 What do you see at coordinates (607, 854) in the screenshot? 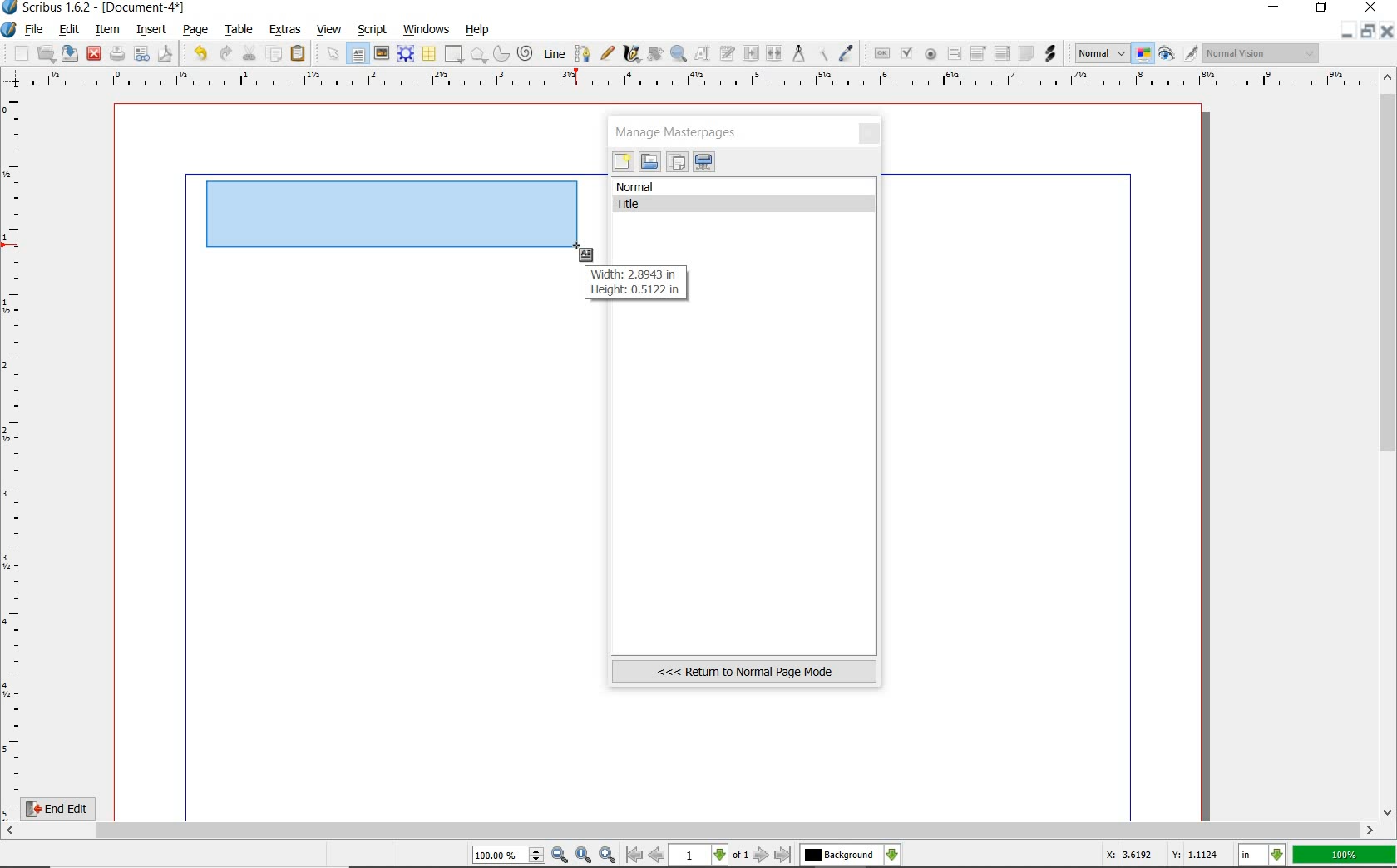
I see `zoom in` at bounding box center [607, 854].